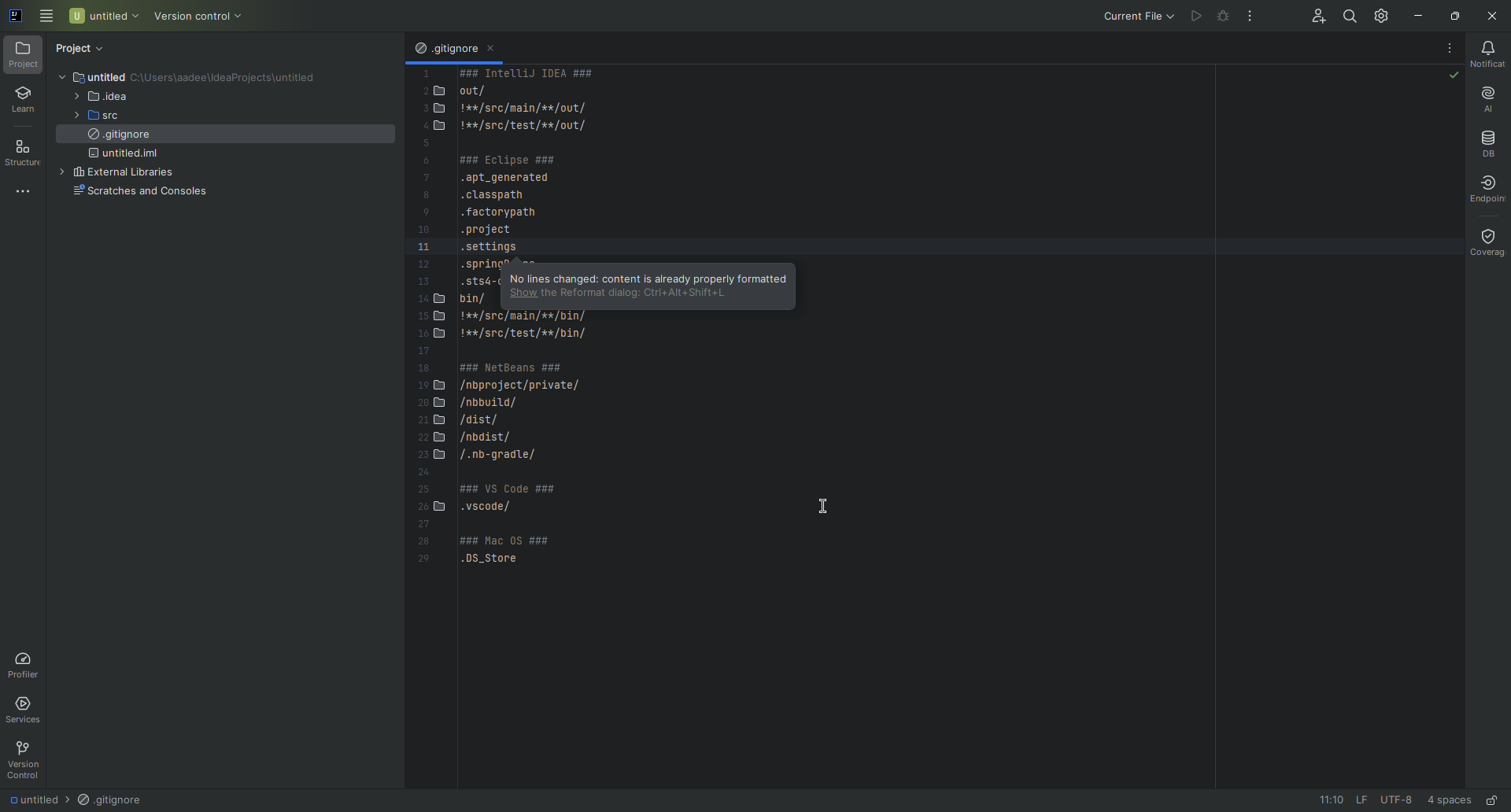 This screenshot has width=1511, height=812. Describe the element at coordinates (1222, 17) in the screenshot. I see `Debug` at that location.